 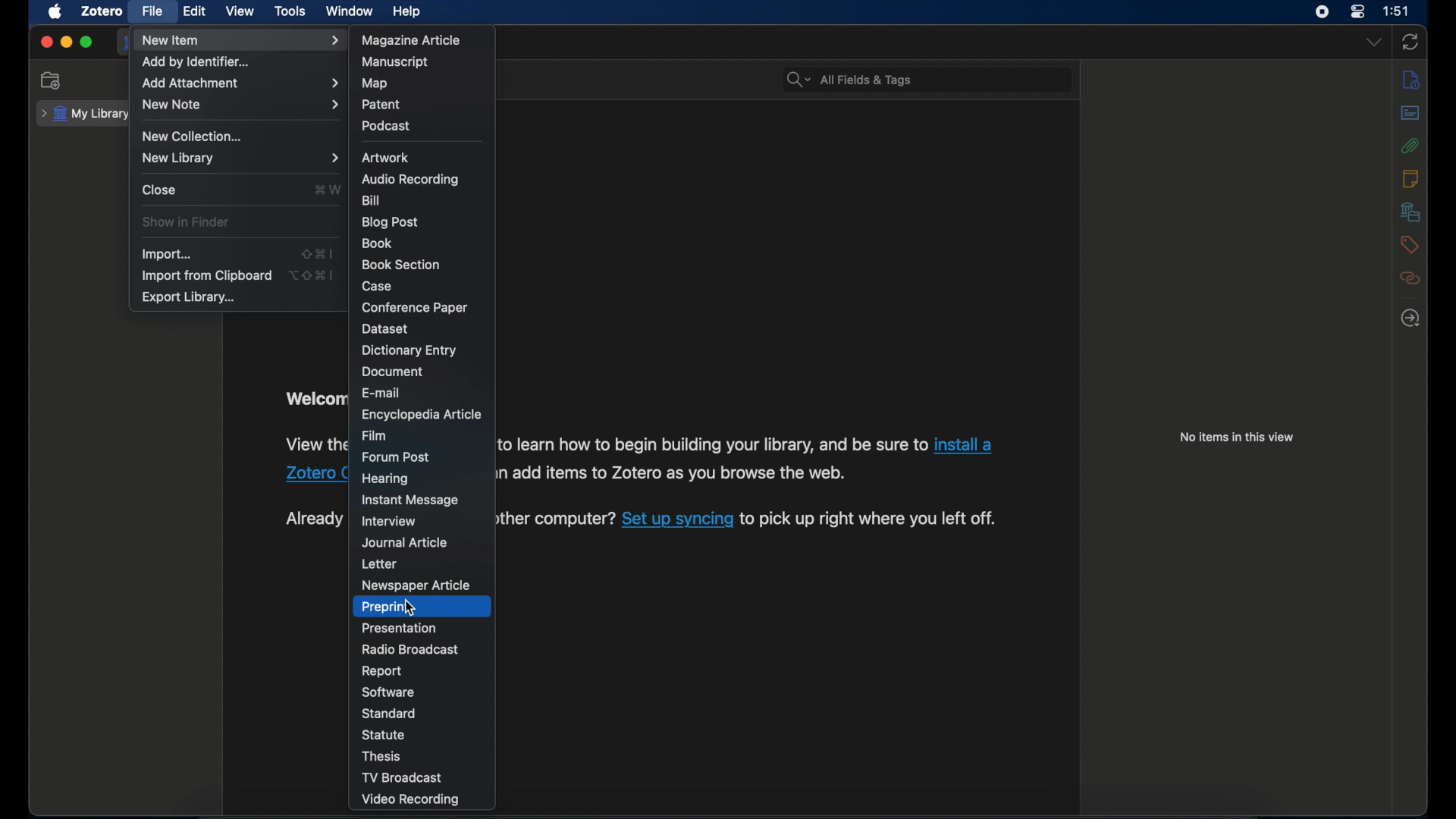 I want to click on document, so click(x=394, y=372).